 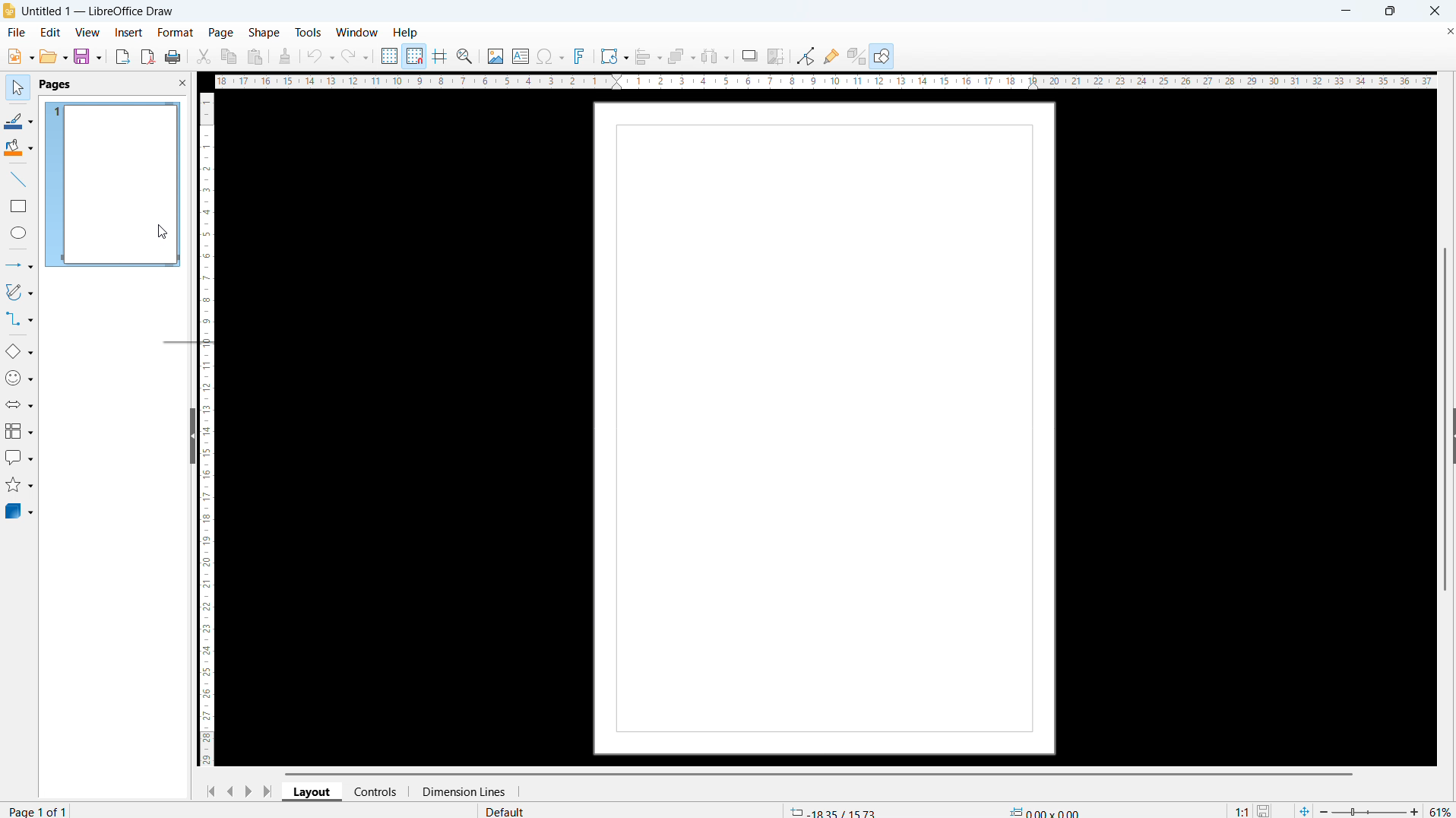 What do you see at coordinates (465, 55) in the screenshot?
I see `zoom` at bounding box center [465, 55].